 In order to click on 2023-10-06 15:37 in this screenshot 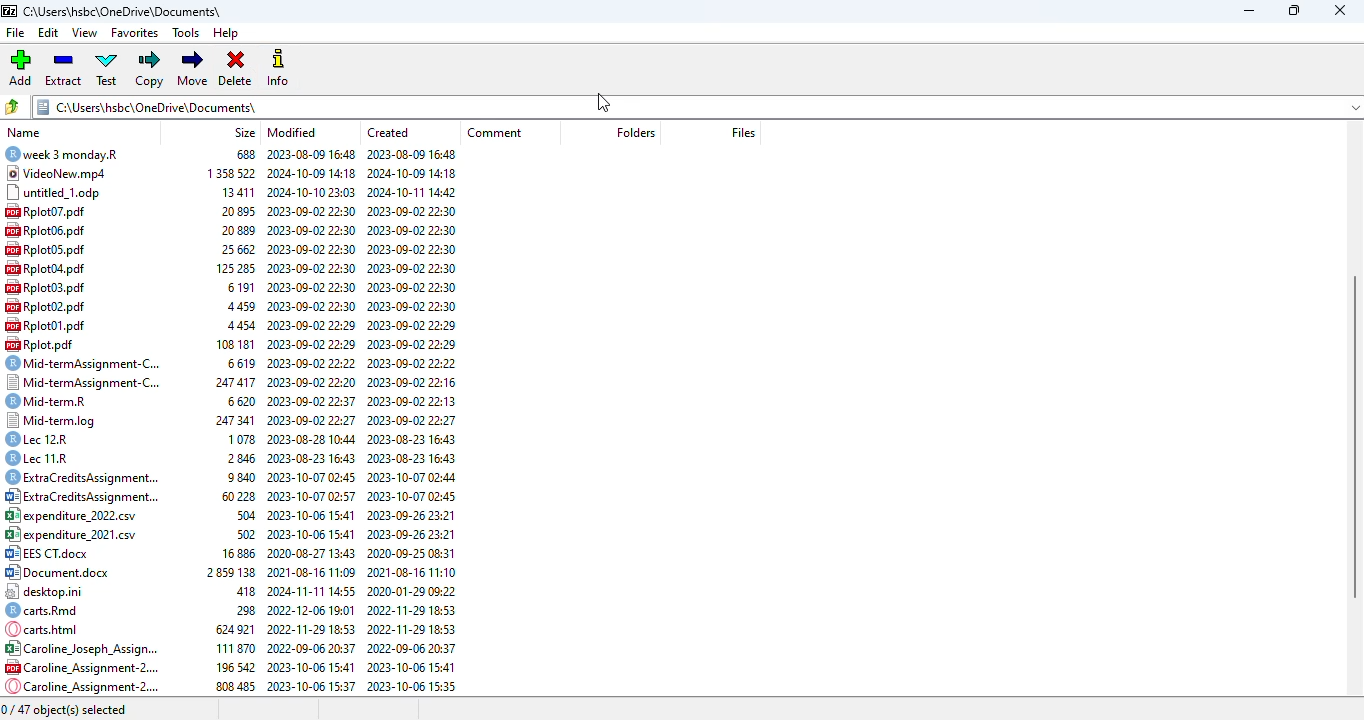, I will do `click(312, 688)`.